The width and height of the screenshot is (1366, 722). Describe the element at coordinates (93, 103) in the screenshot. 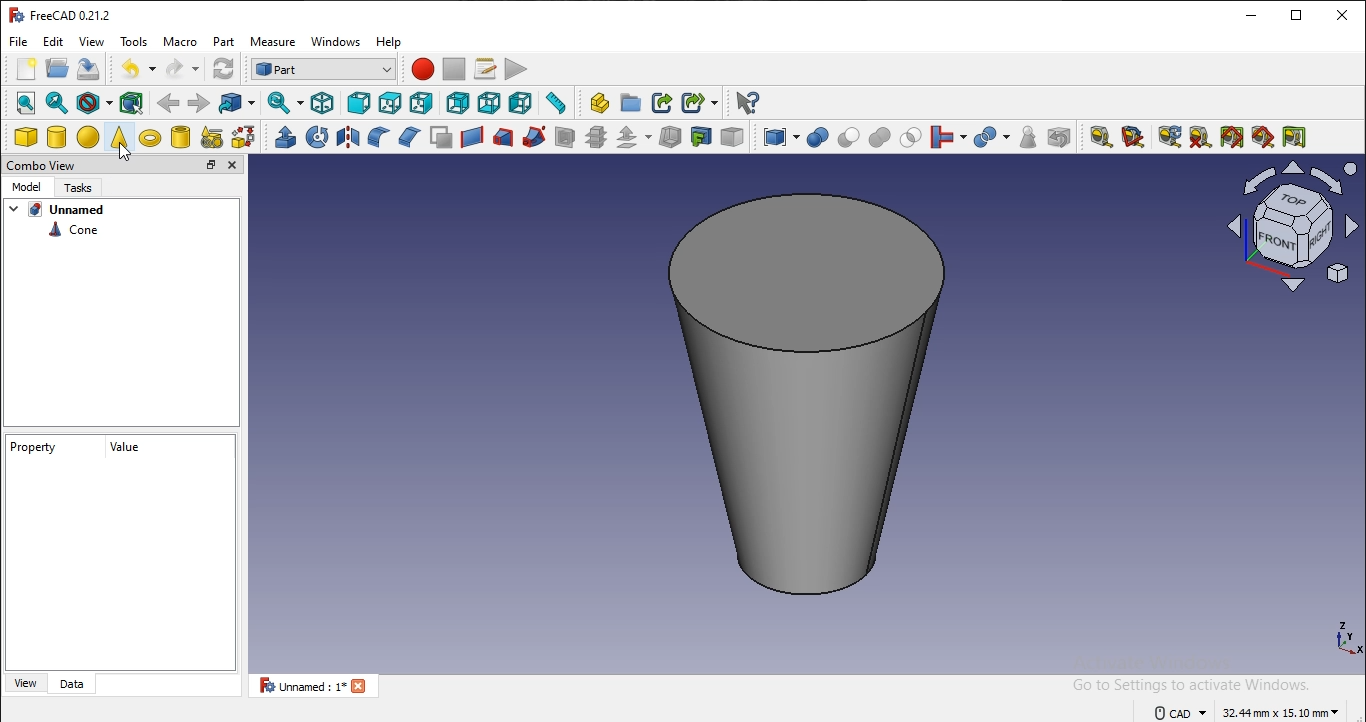

I see `draw style` at that location.